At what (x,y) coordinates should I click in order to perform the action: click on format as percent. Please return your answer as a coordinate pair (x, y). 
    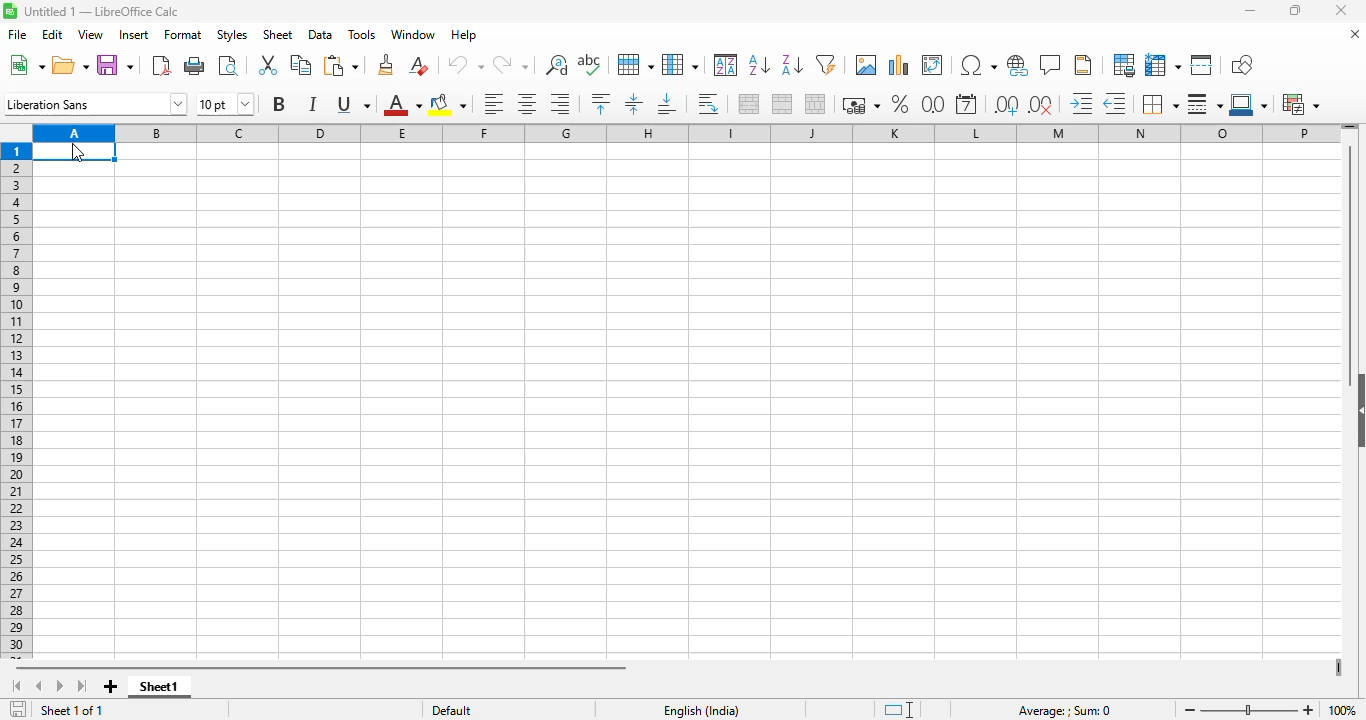
    Looking at the image, I should click on (900, 104).